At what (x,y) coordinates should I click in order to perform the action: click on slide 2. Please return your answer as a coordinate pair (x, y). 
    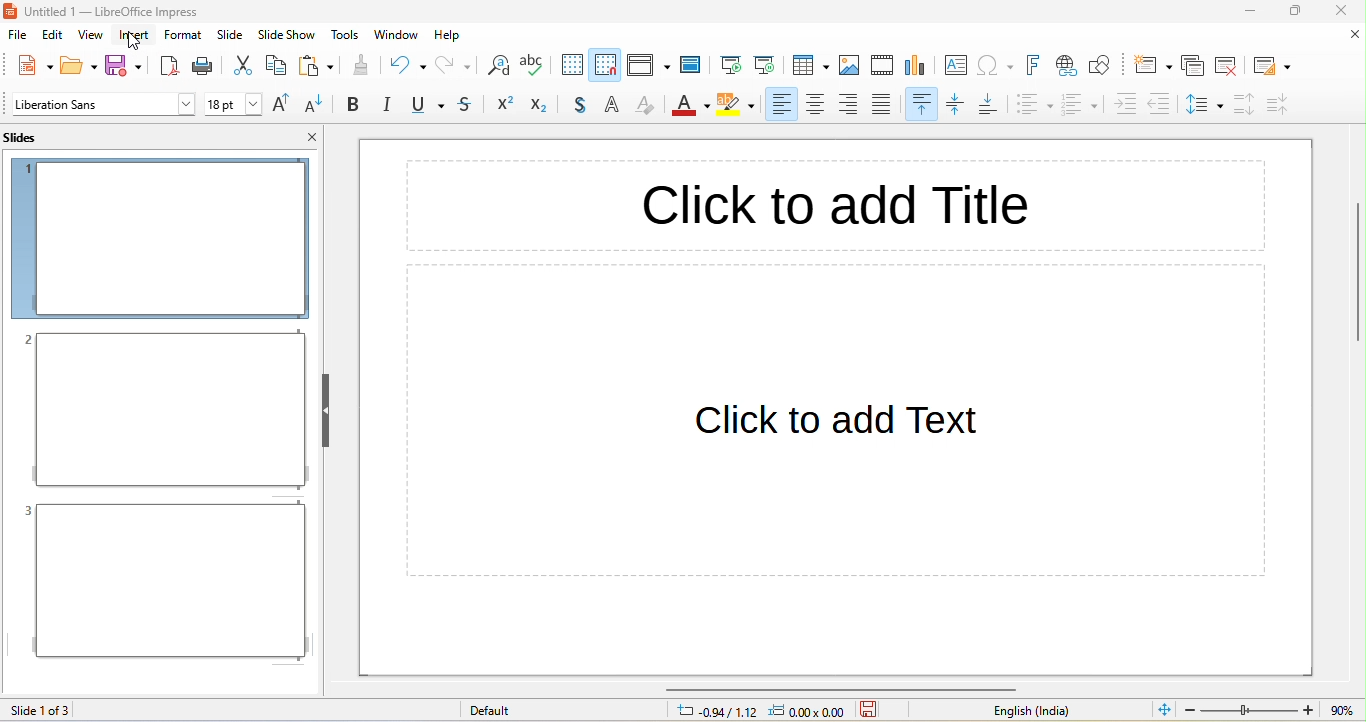
    Looking at the image, I should click on (164, 410).